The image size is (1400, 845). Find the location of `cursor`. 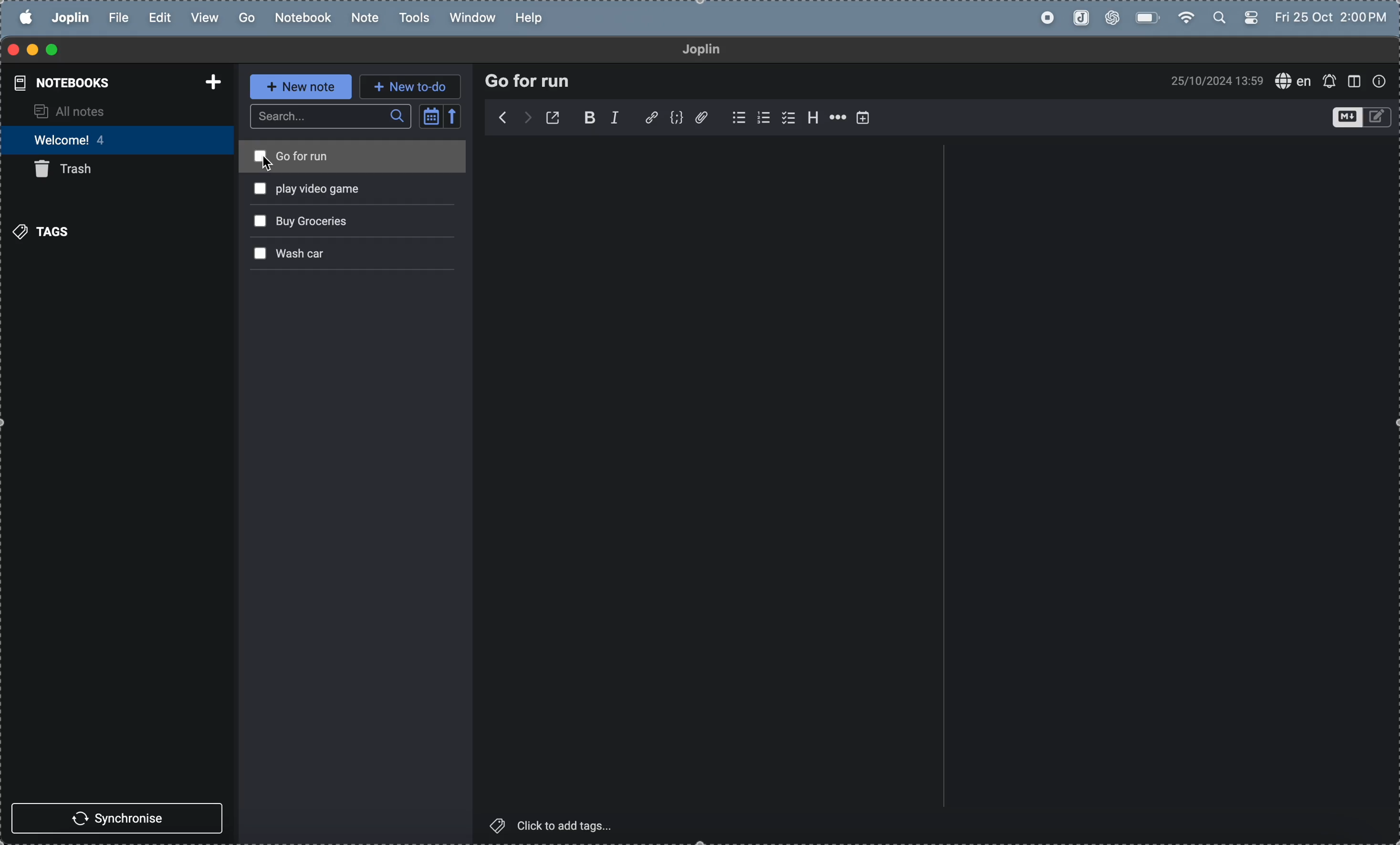

cursor is located at coordinates (270, 164).